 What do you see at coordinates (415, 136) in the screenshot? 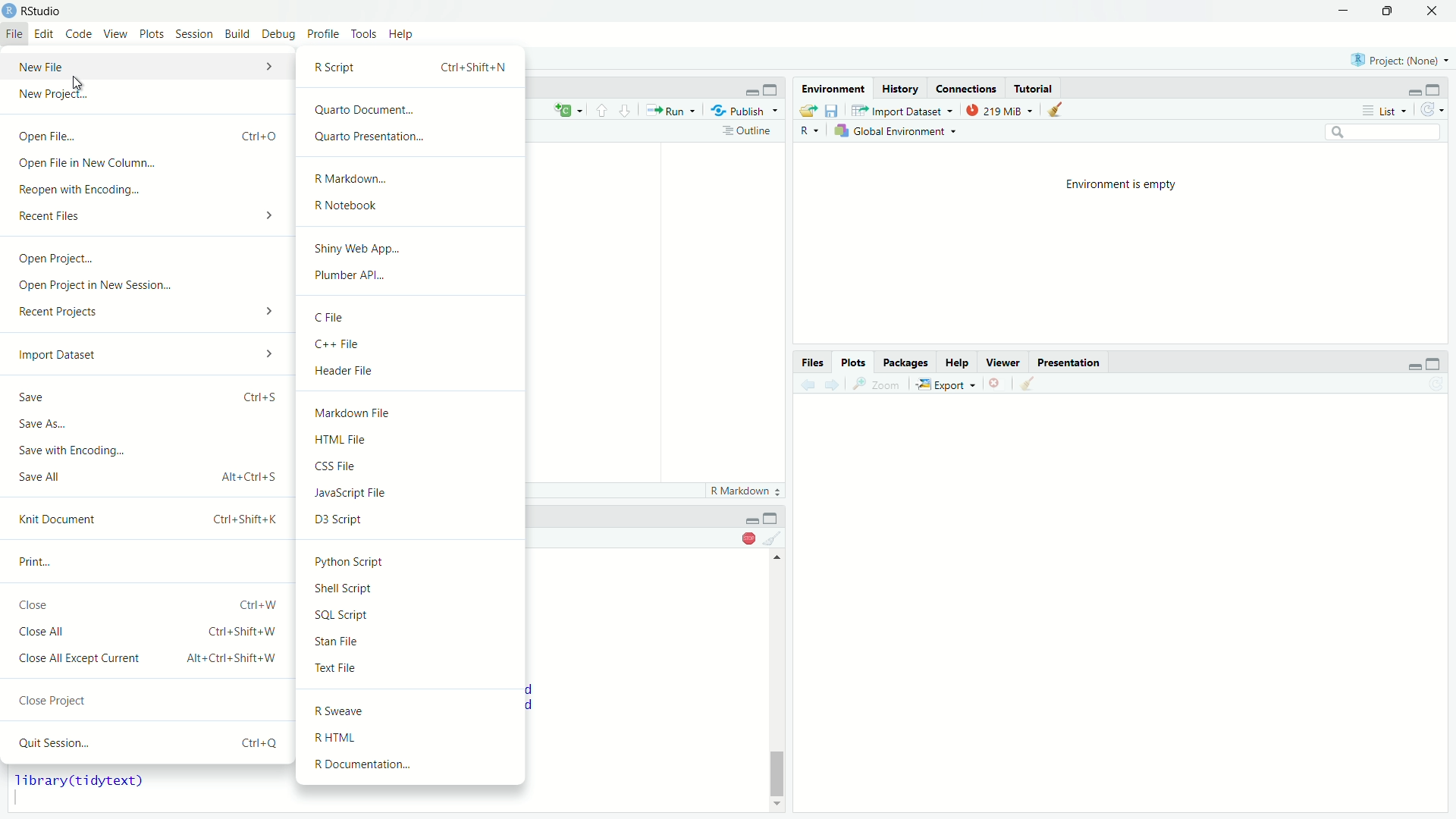
I see `Quarto Presentation...` at bounding box center [415, 136].